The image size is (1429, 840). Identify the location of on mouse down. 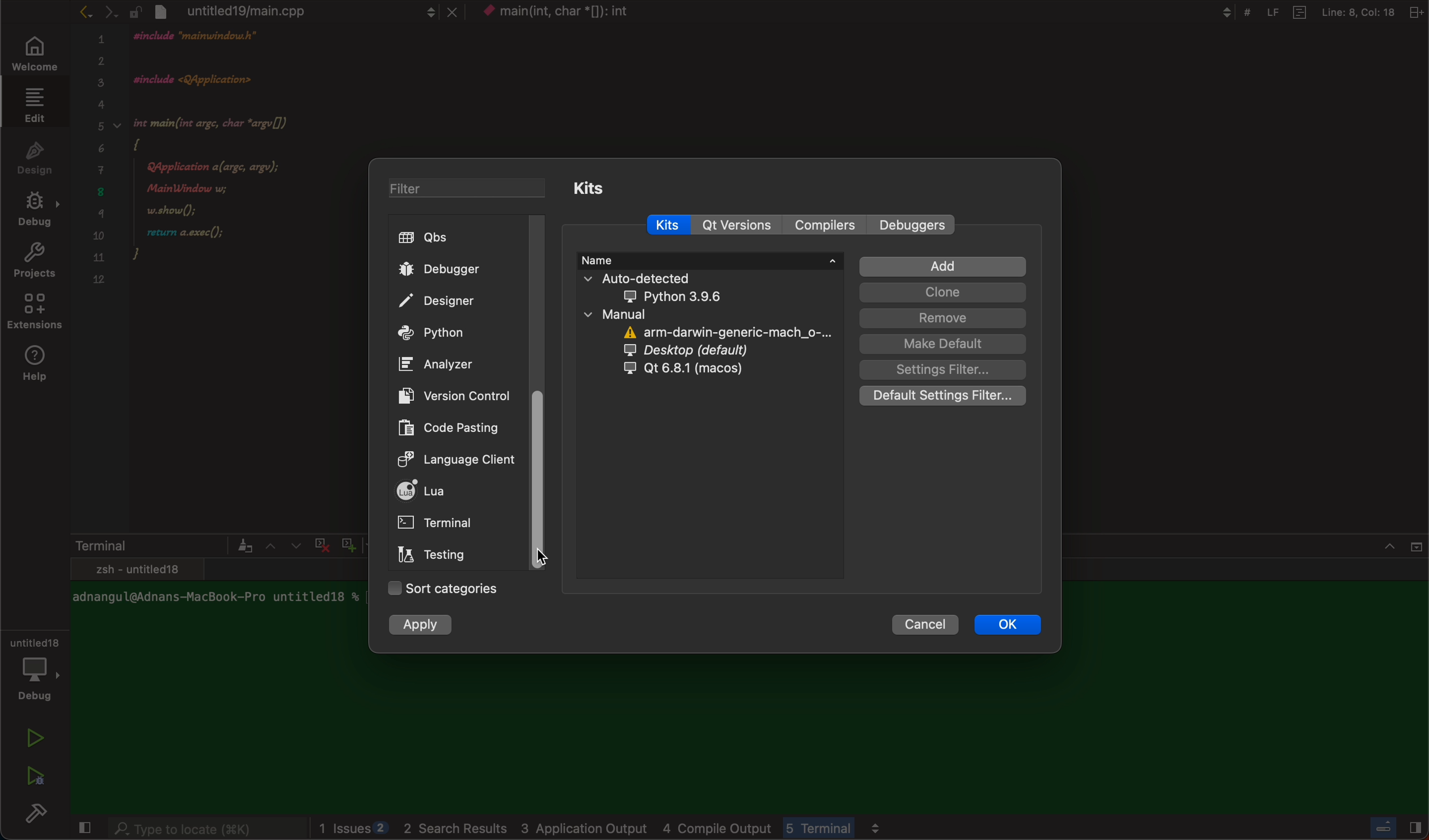
(549, 561).